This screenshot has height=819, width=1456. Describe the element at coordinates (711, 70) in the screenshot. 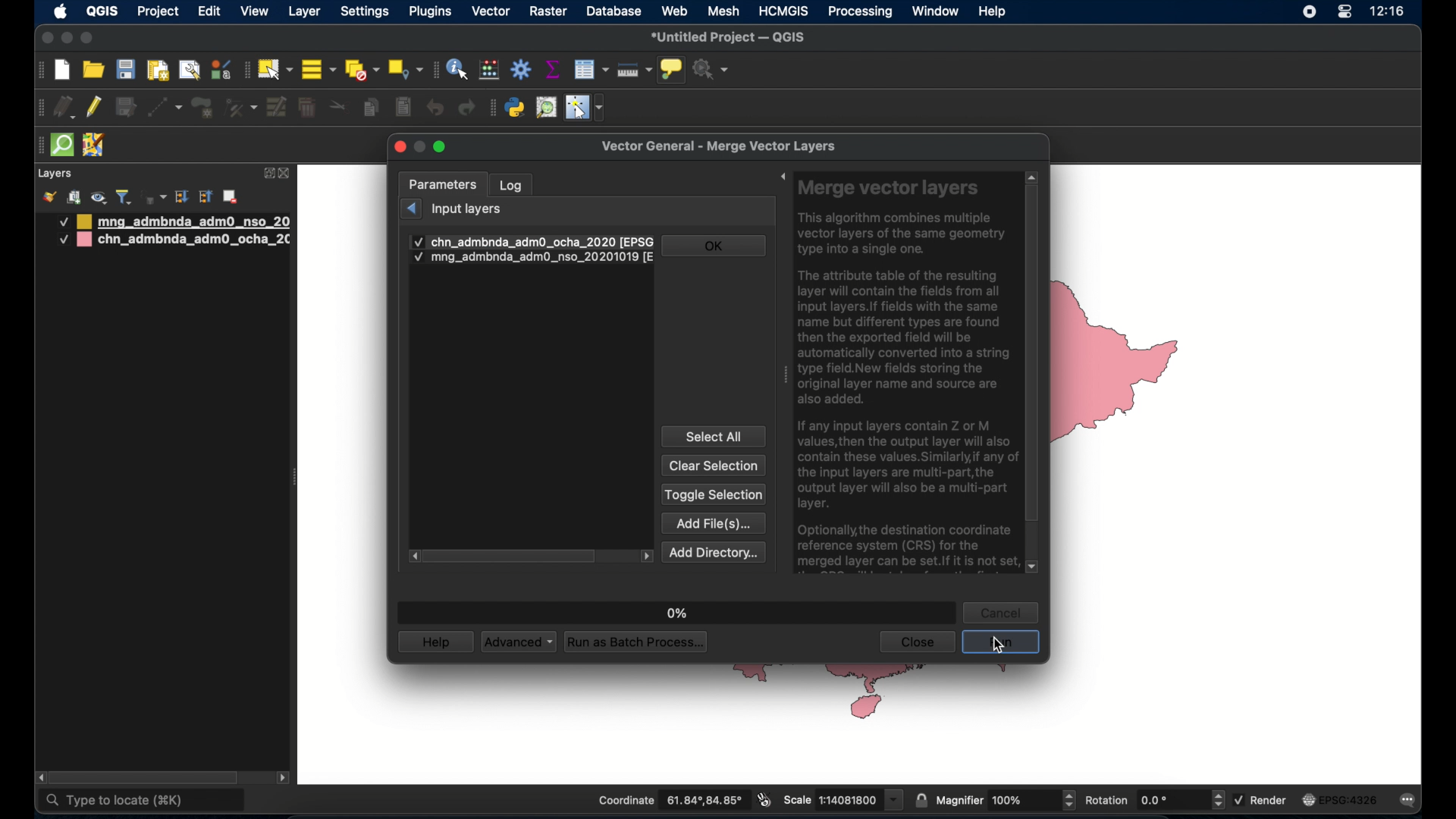

I see `no action selected` at that location.